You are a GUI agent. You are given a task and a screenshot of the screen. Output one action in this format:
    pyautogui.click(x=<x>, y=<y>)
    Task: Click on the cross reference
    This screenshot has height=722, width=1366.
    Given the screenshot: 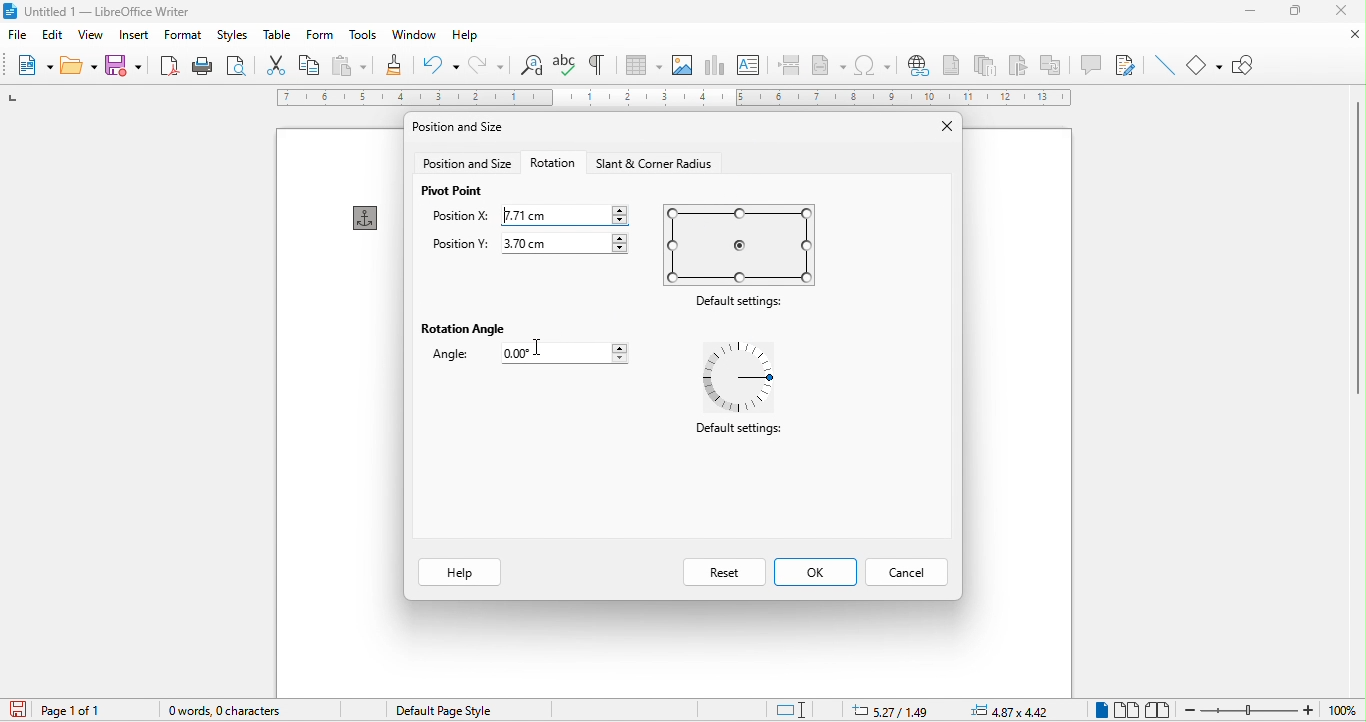 What is the action you would take?
    pyautogui.click(x=1056, y=64)
    